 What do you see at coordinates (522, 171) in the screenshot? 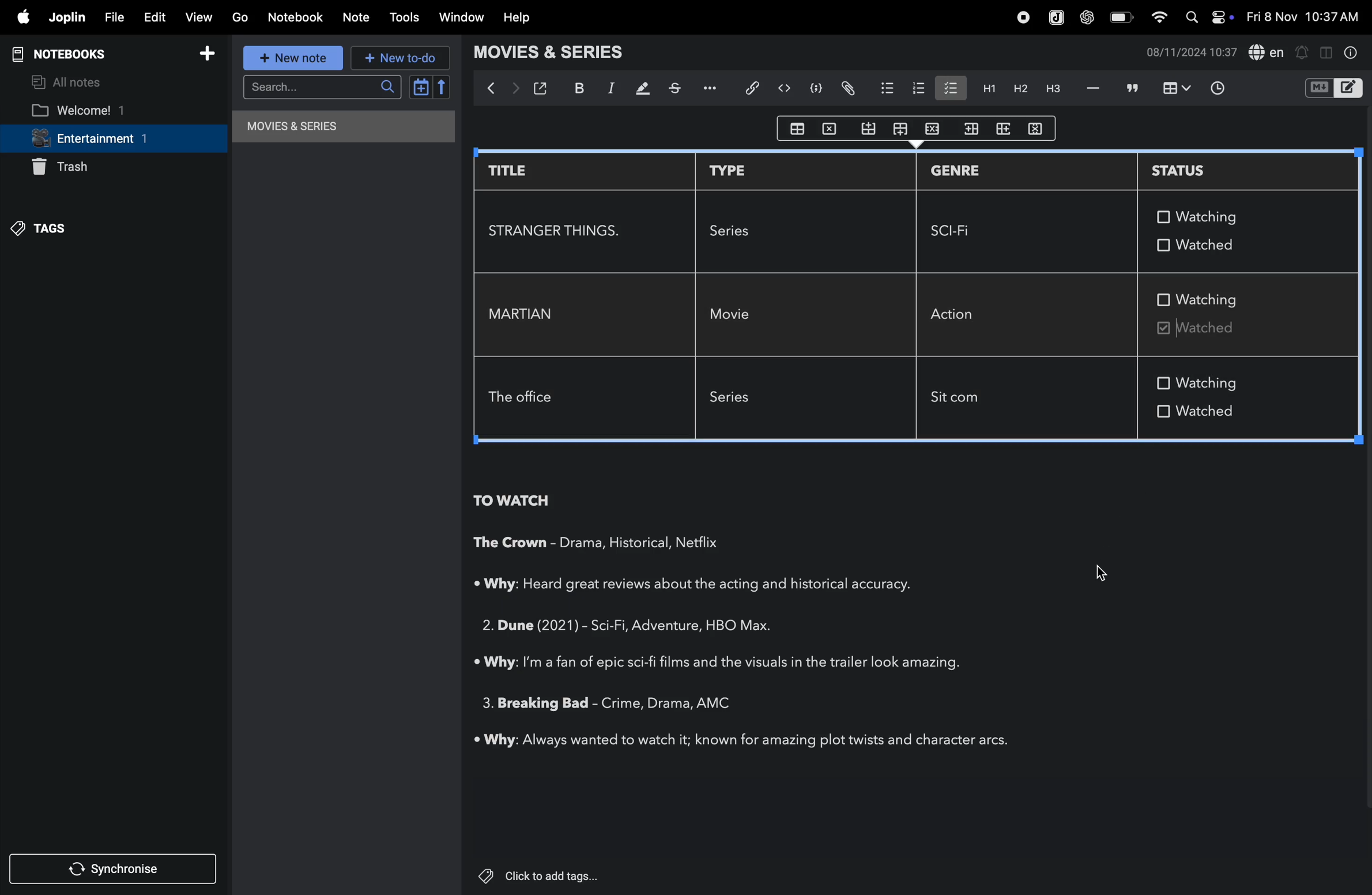
I see `title` at bounding box center [522, 171].